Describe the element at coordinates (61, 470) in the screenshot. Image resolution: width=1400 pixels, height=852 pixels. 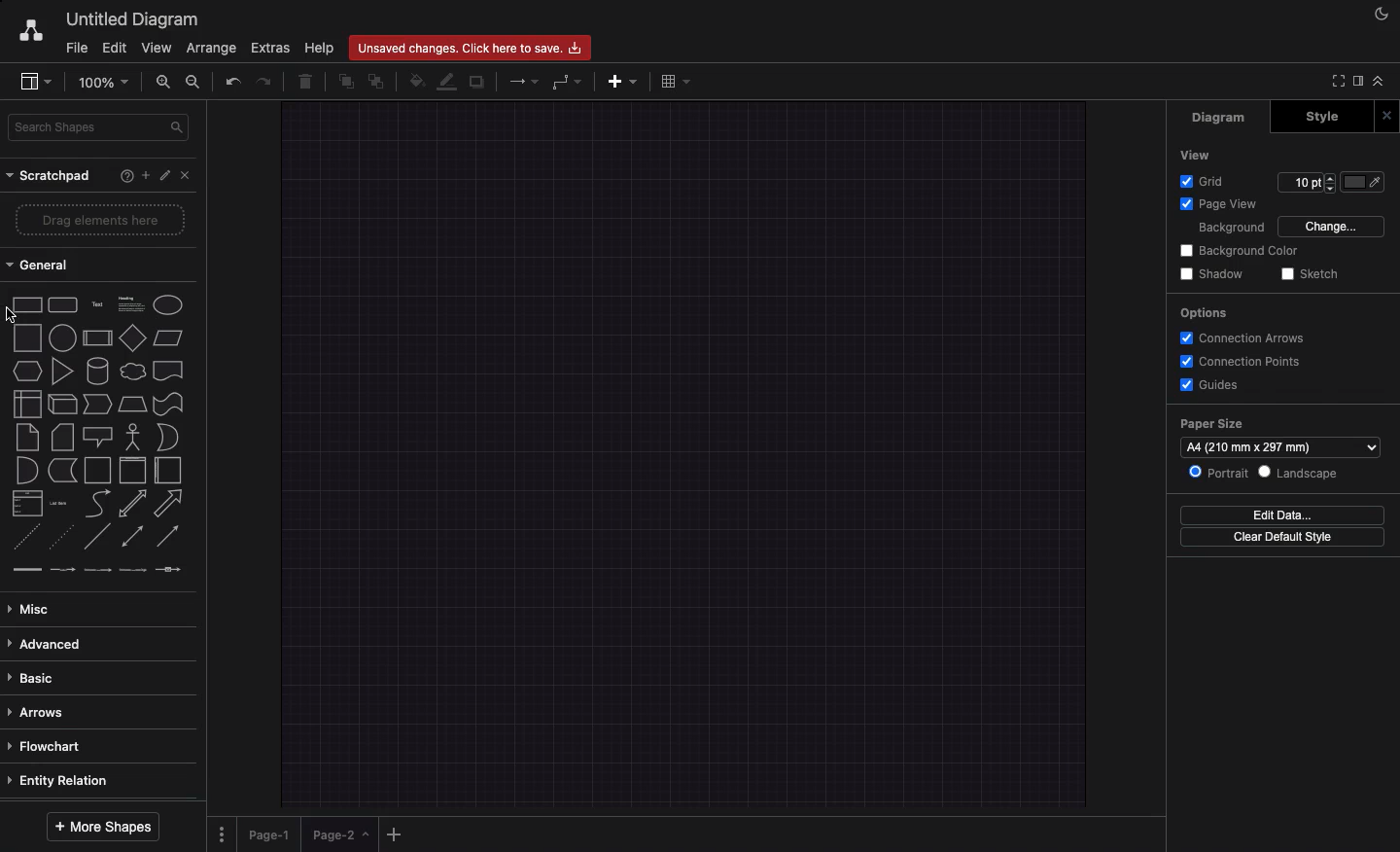
I see `data storage` at that location.